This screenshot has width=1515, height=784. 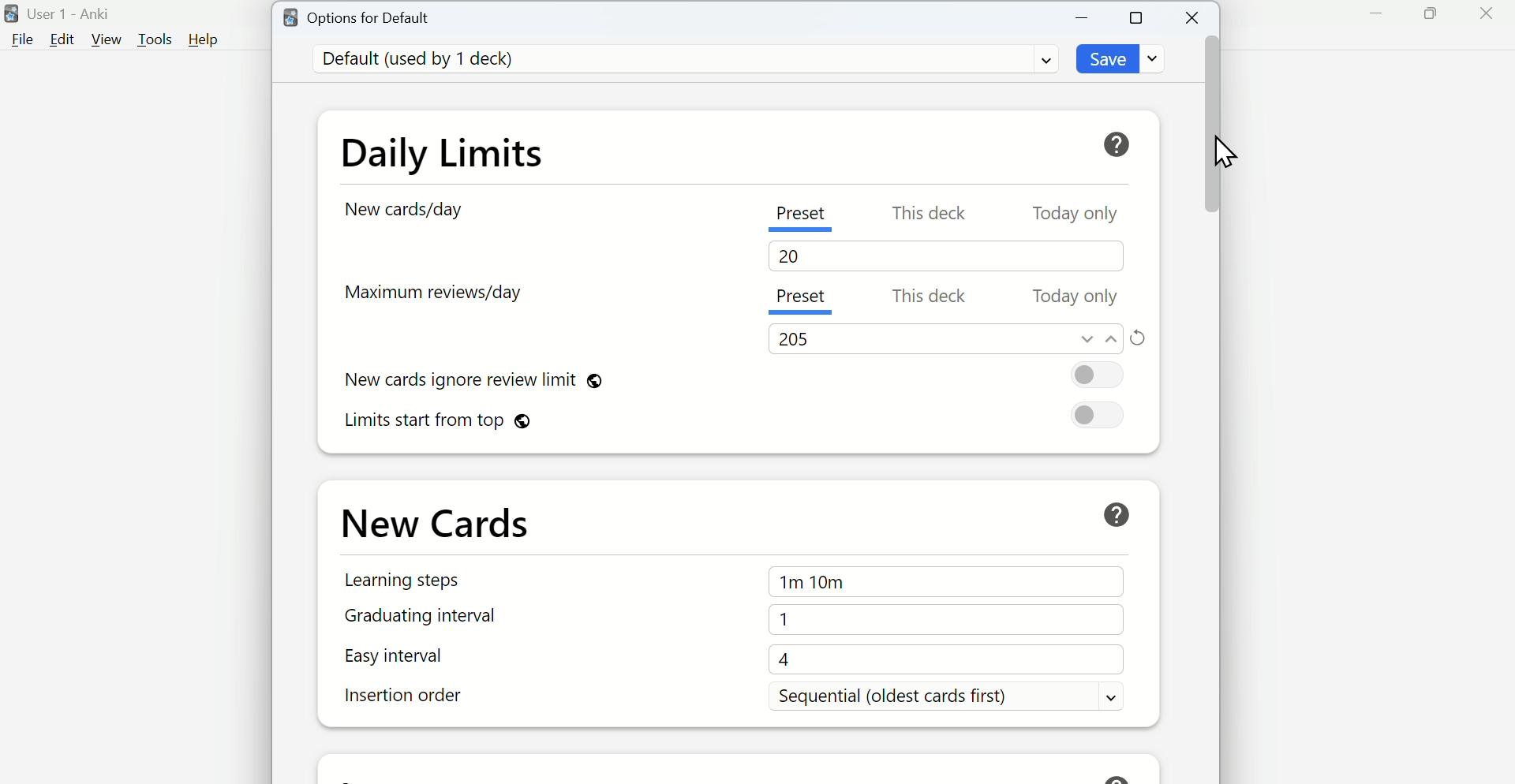 What do you see at coordinates (799, 216) in the screenshot?
I see `Preset` at bounding box center [799, 216].